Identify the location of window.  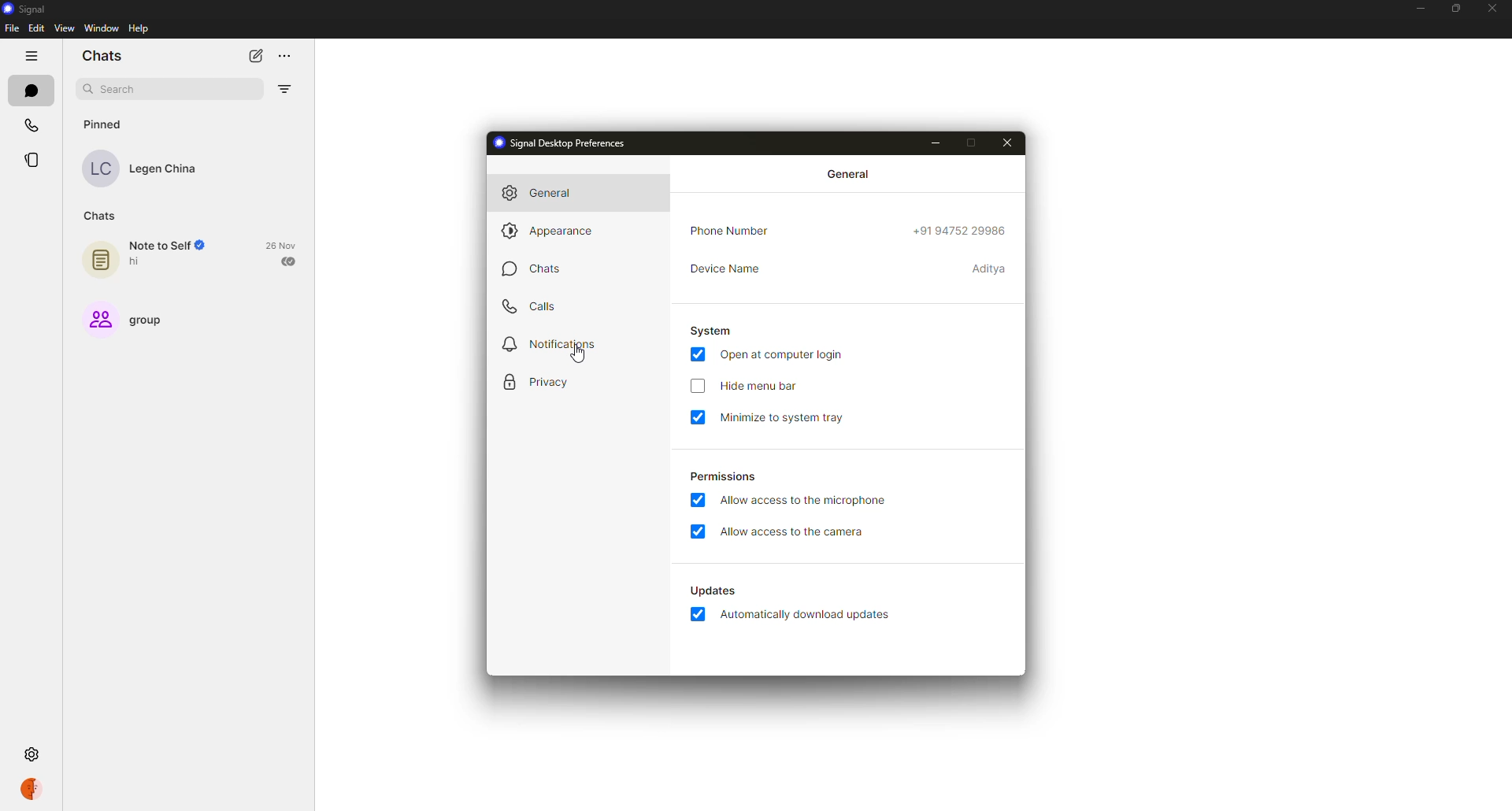
(102, 29).